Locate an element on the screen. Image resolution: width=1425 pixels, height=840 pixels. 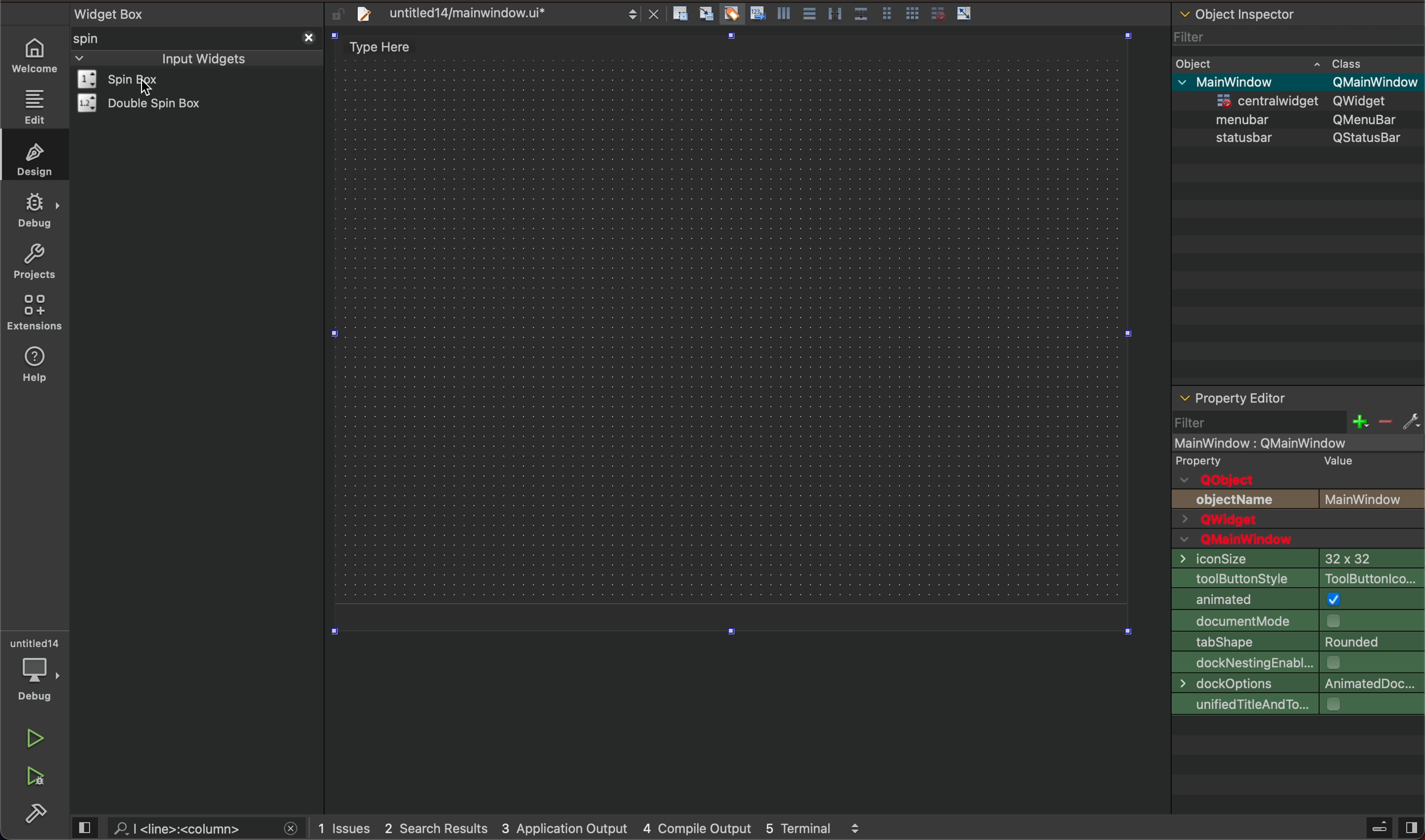
WELCOME is located at coordinates (36, 56).